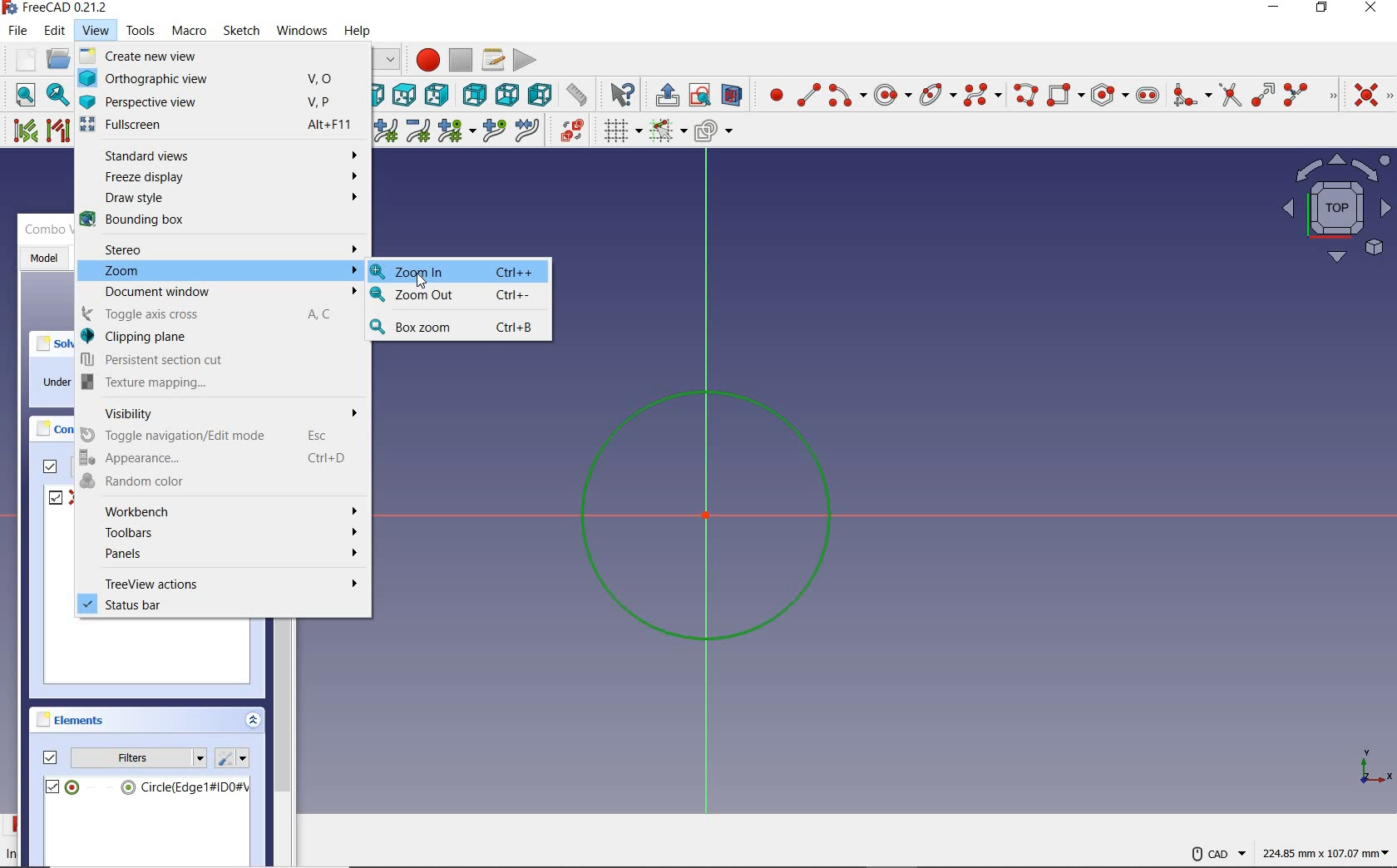 The height and width of the screenshot is (868, 1397). Describe the element at coordinates (189, 31) in the screenshot. I see `macro` at that location.